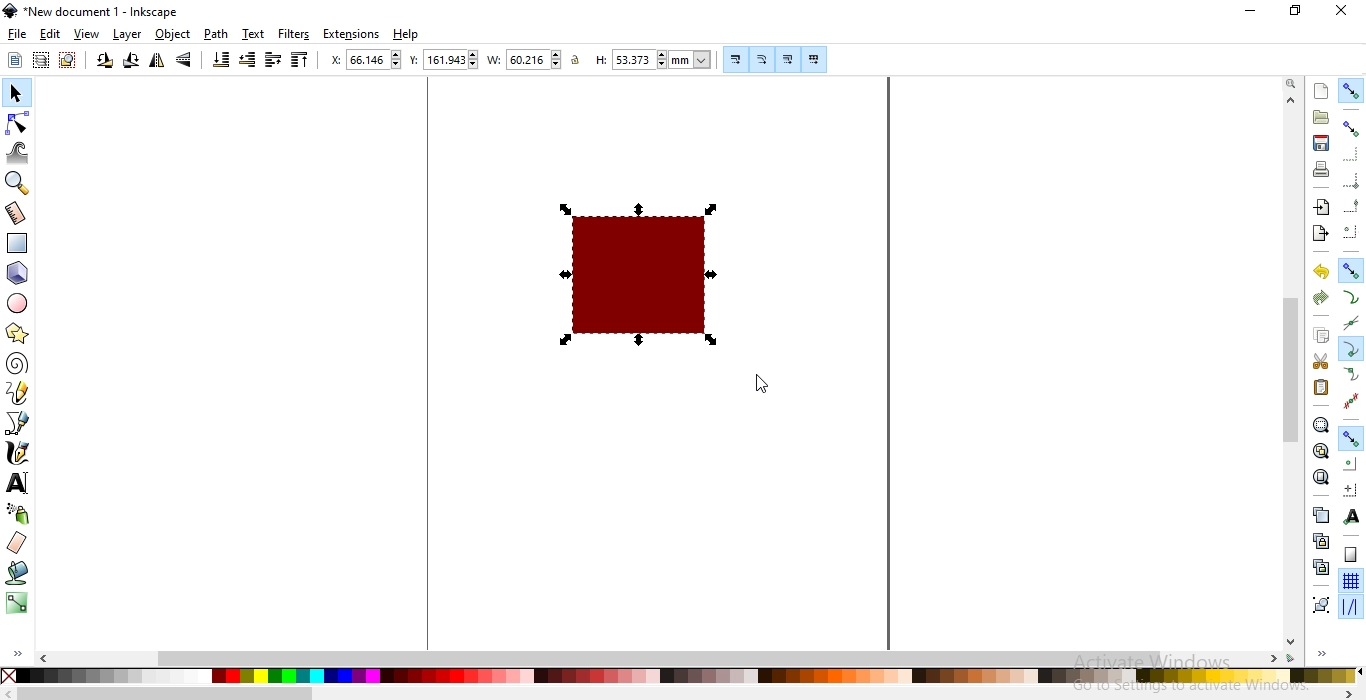  What do you see at coordinates (17, 393) in the screenshot?
I see `draw freehand lines` at bounding box center [17, 393].